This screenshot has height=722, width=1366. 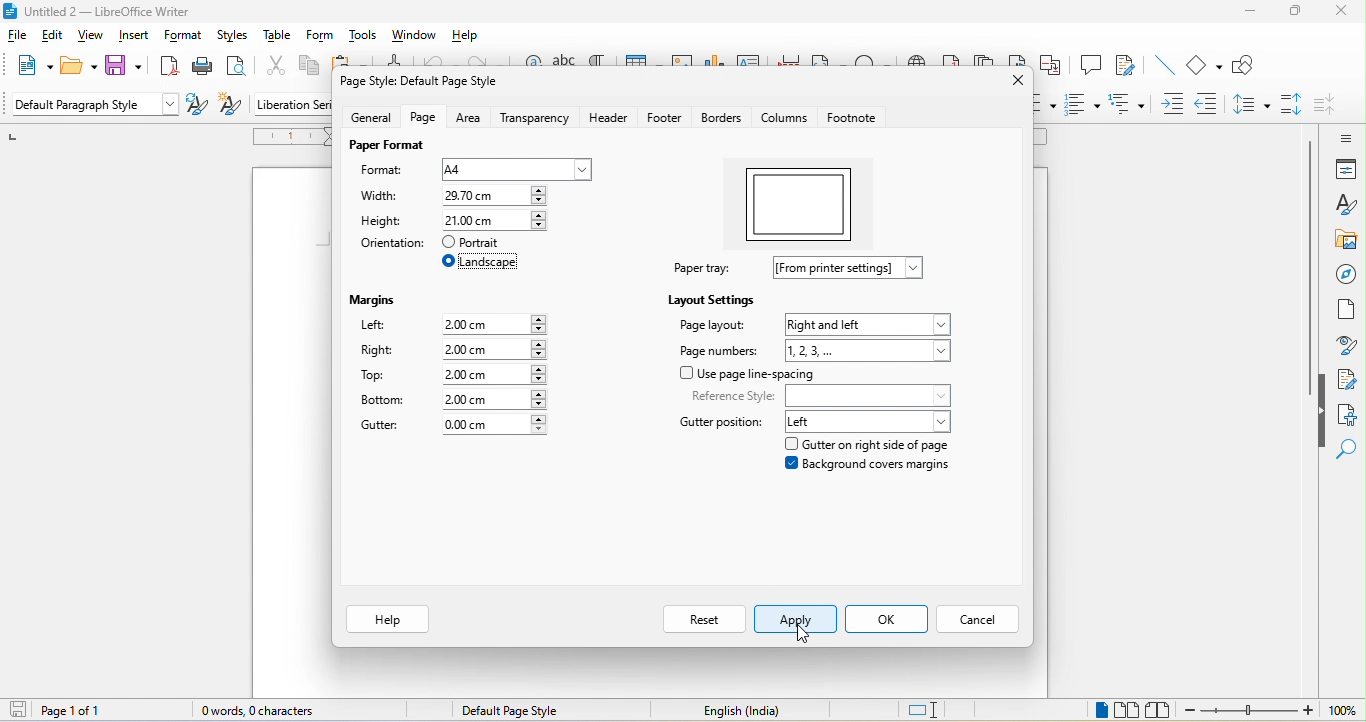 What do you see at coordinates (1345, 241) in the screenshot?
I see `gallery art` at bounding box center [1345, 241].